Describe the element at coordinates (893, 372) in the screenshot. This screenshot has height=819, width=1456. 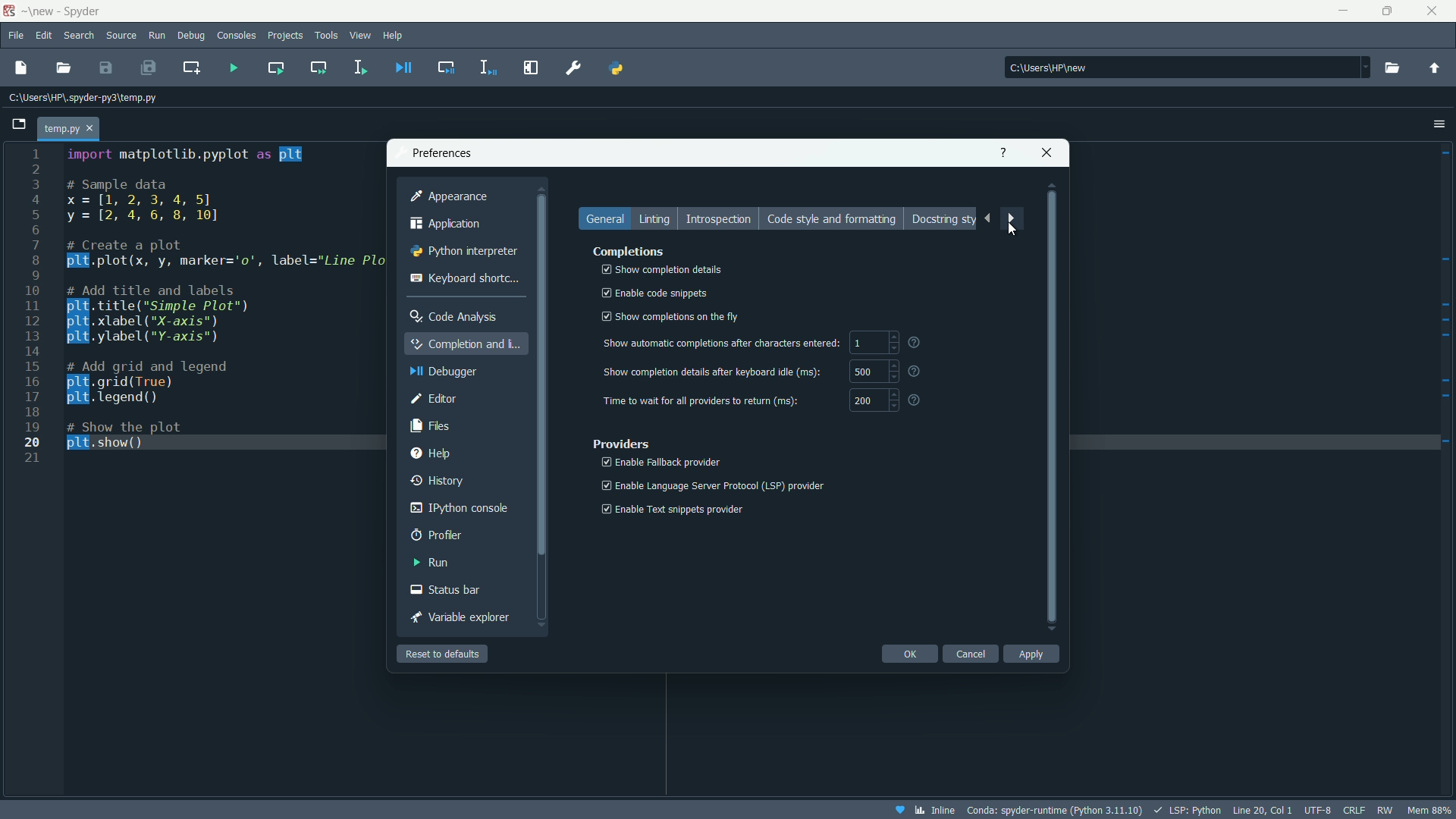
I see `increment and decremnt button` at that location.